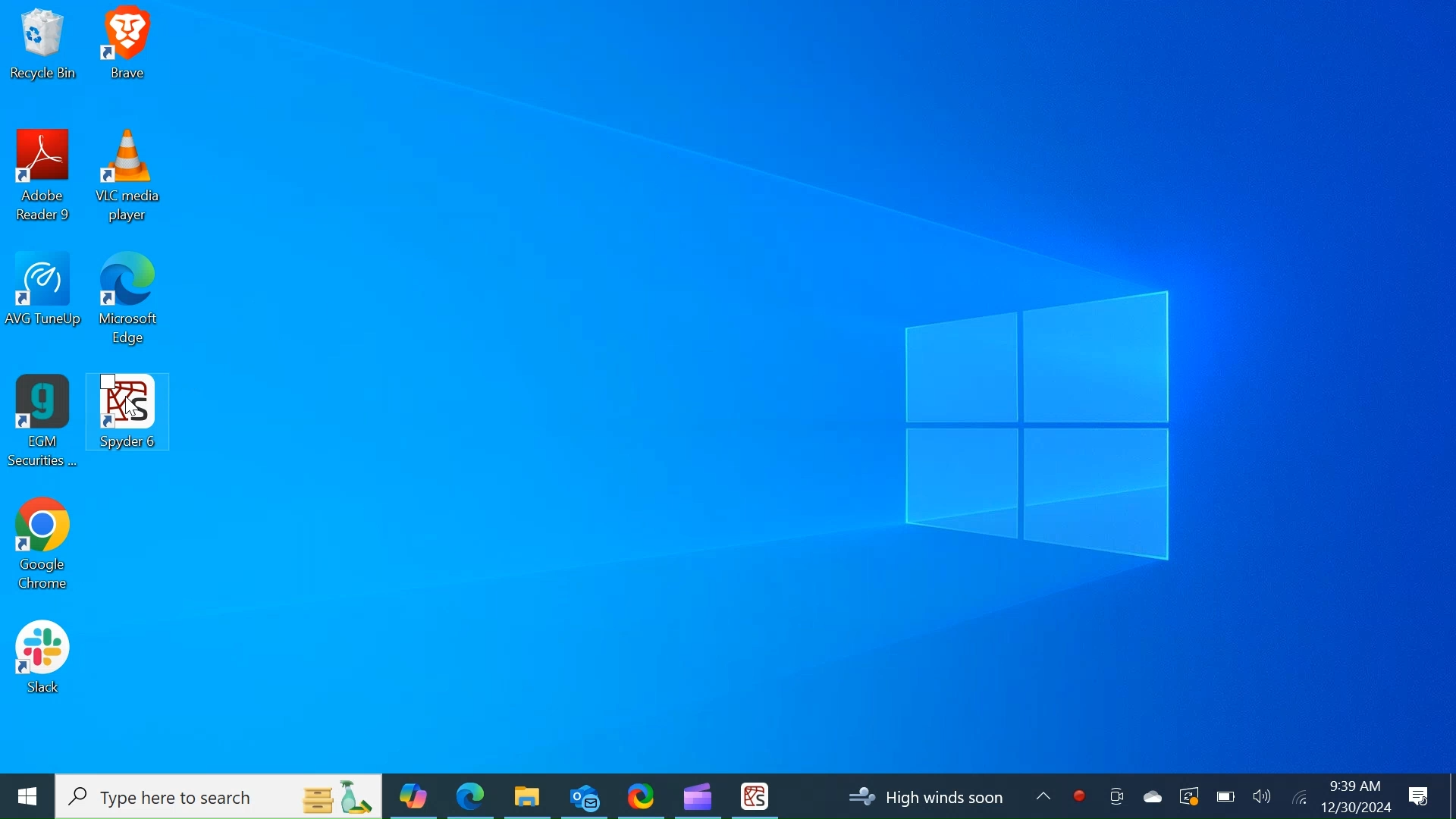 The width and height of the screenshot is (1456, 819). I want to click on Notification, so click(1420, 797).